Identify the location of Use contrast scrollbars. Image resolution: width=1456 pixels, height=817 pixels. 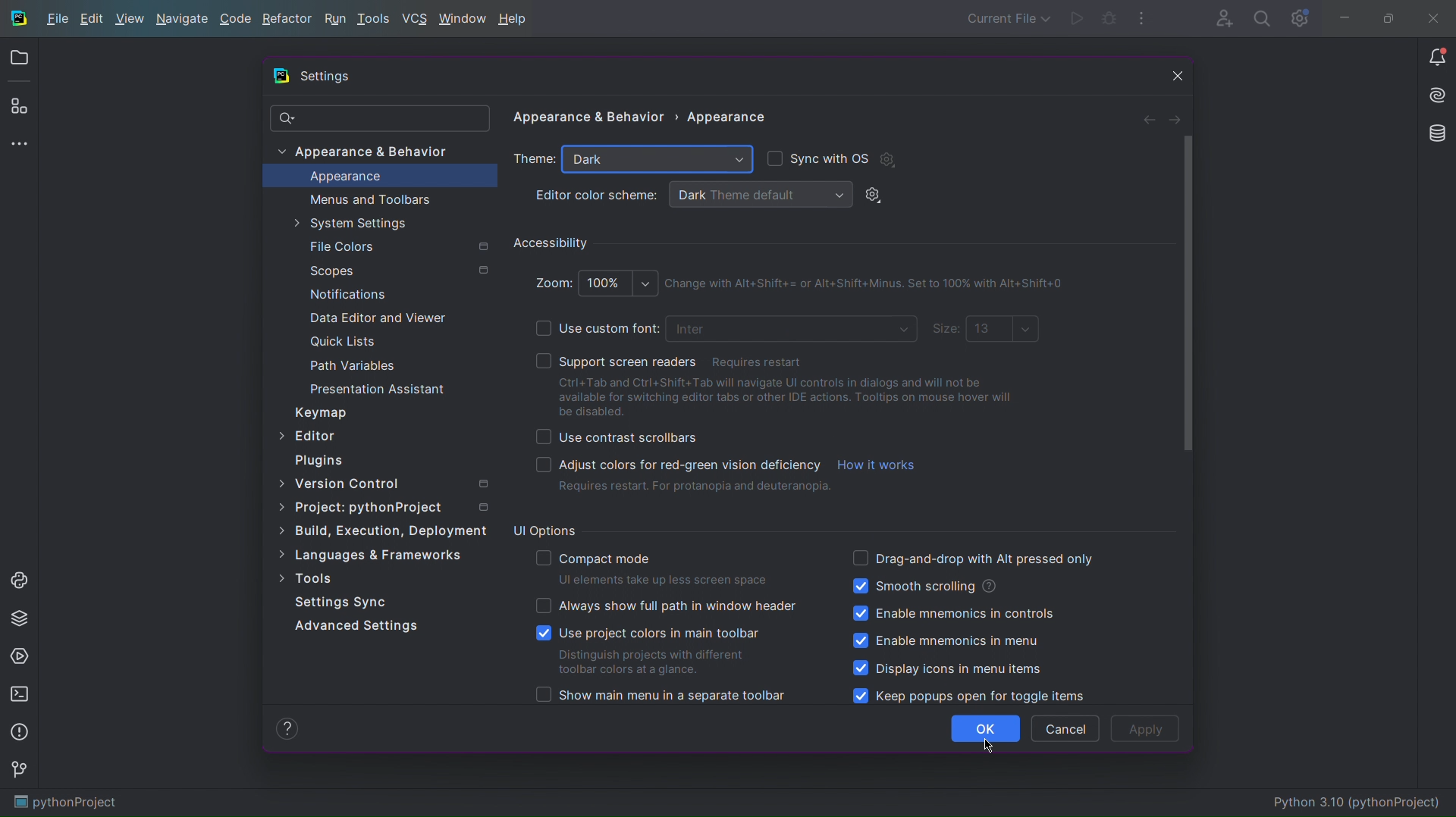
(616, 438).